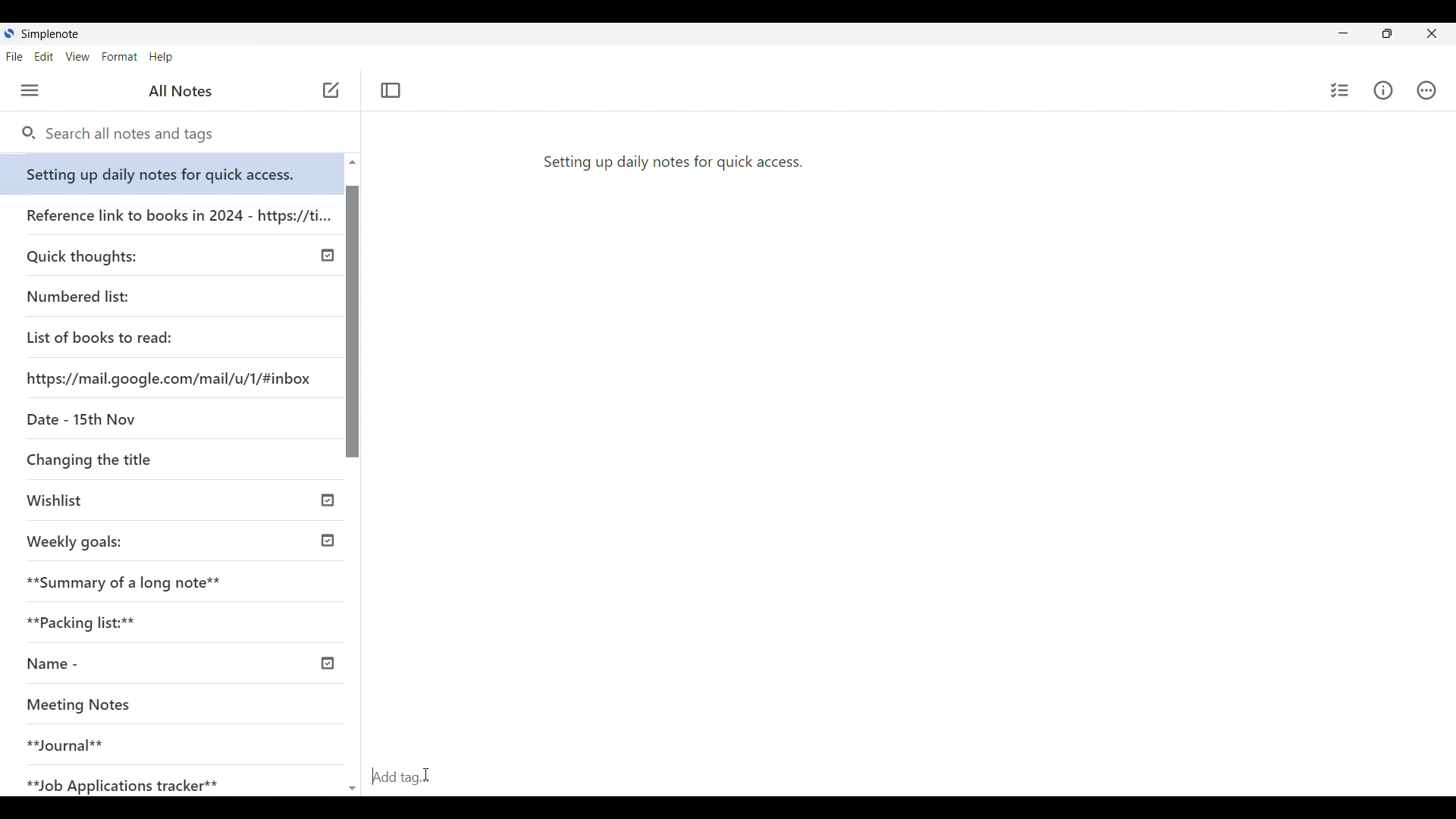 The width and height of the screenshot is (1456, 819). What do you see at coordinates (329, 95) in the screenshot?
I see `Cursor position unchanged` at bounding box center [329, 95].